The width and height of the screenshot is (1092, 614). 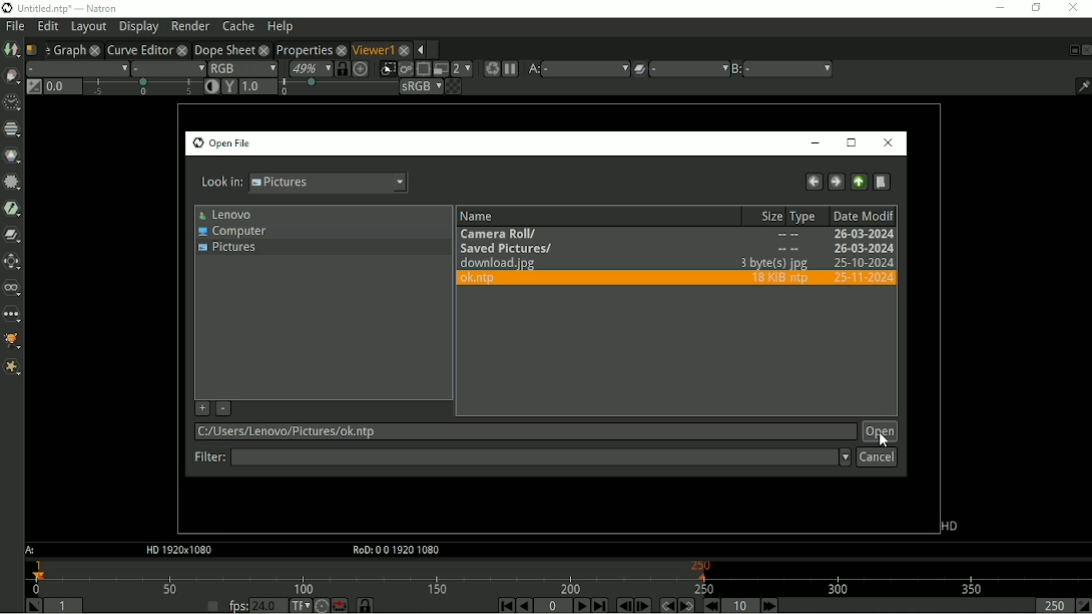 I want to click on Close, so click(x=1085, y=49).